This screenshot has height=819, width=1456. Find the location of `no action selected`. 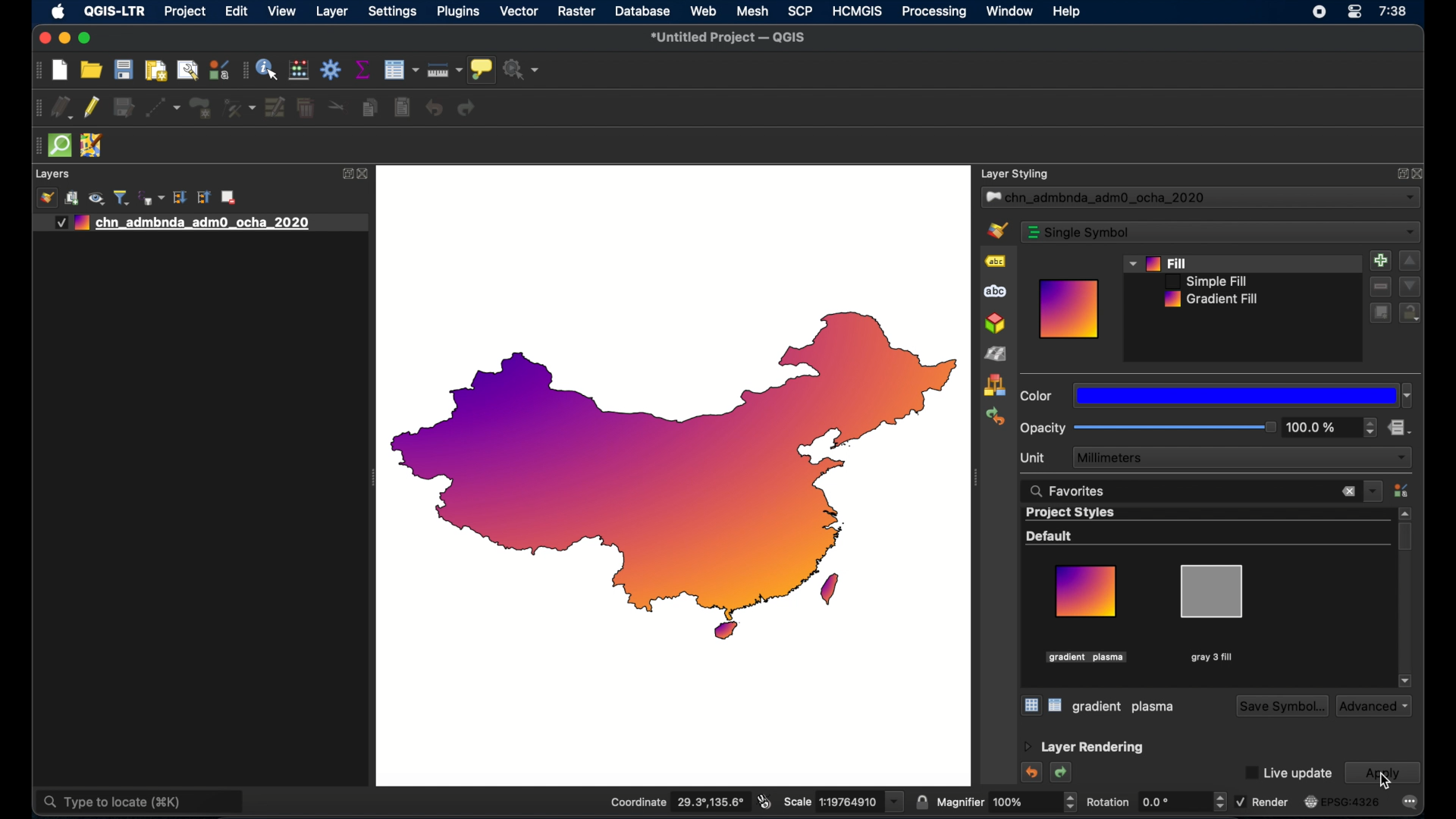

no action selected is located at coordinates (522, 70).